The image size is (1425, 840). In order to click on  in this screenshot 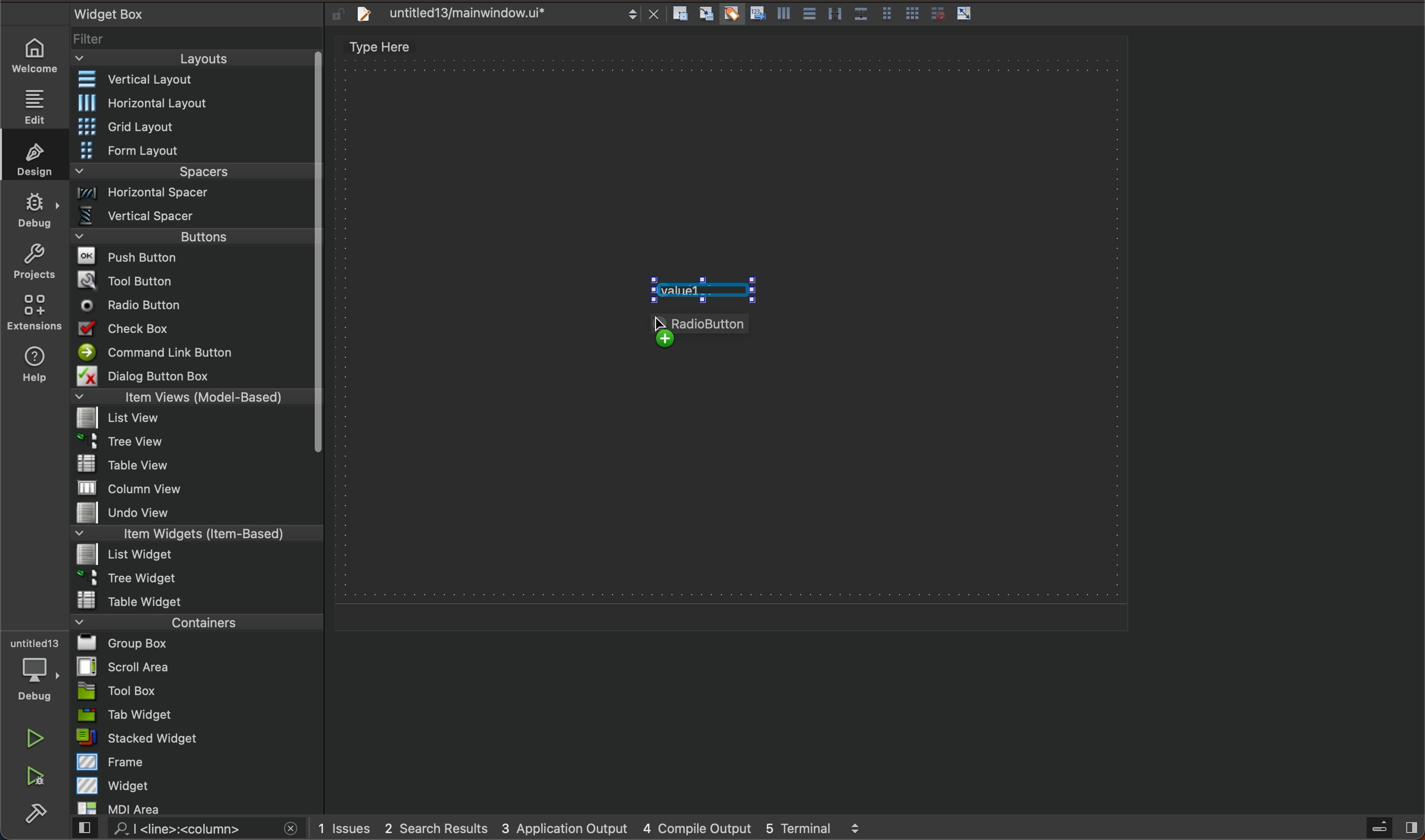, I will do `click(886, 15)`.